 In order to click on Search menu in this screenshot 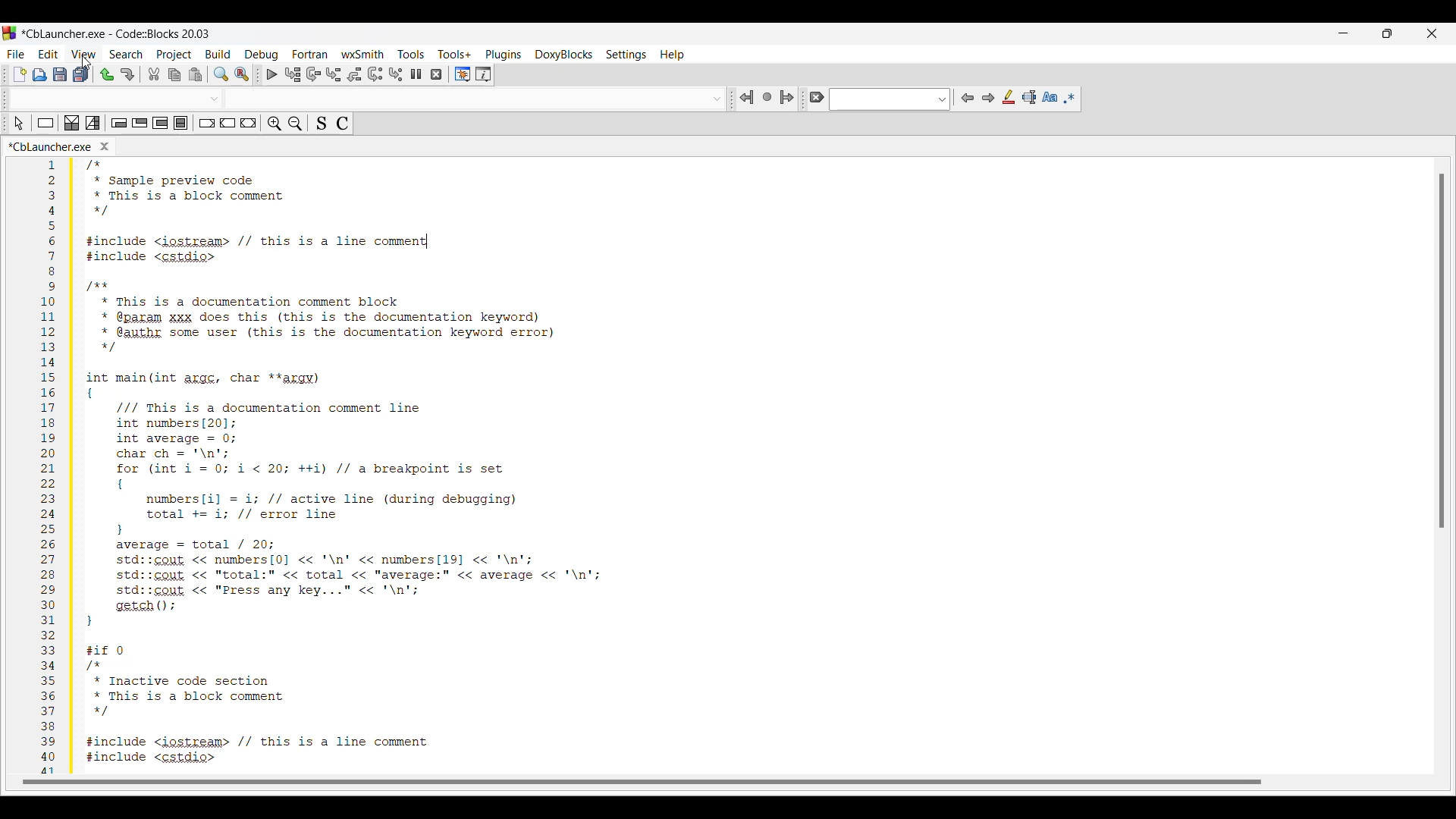, I will do `click(126, 55)`.